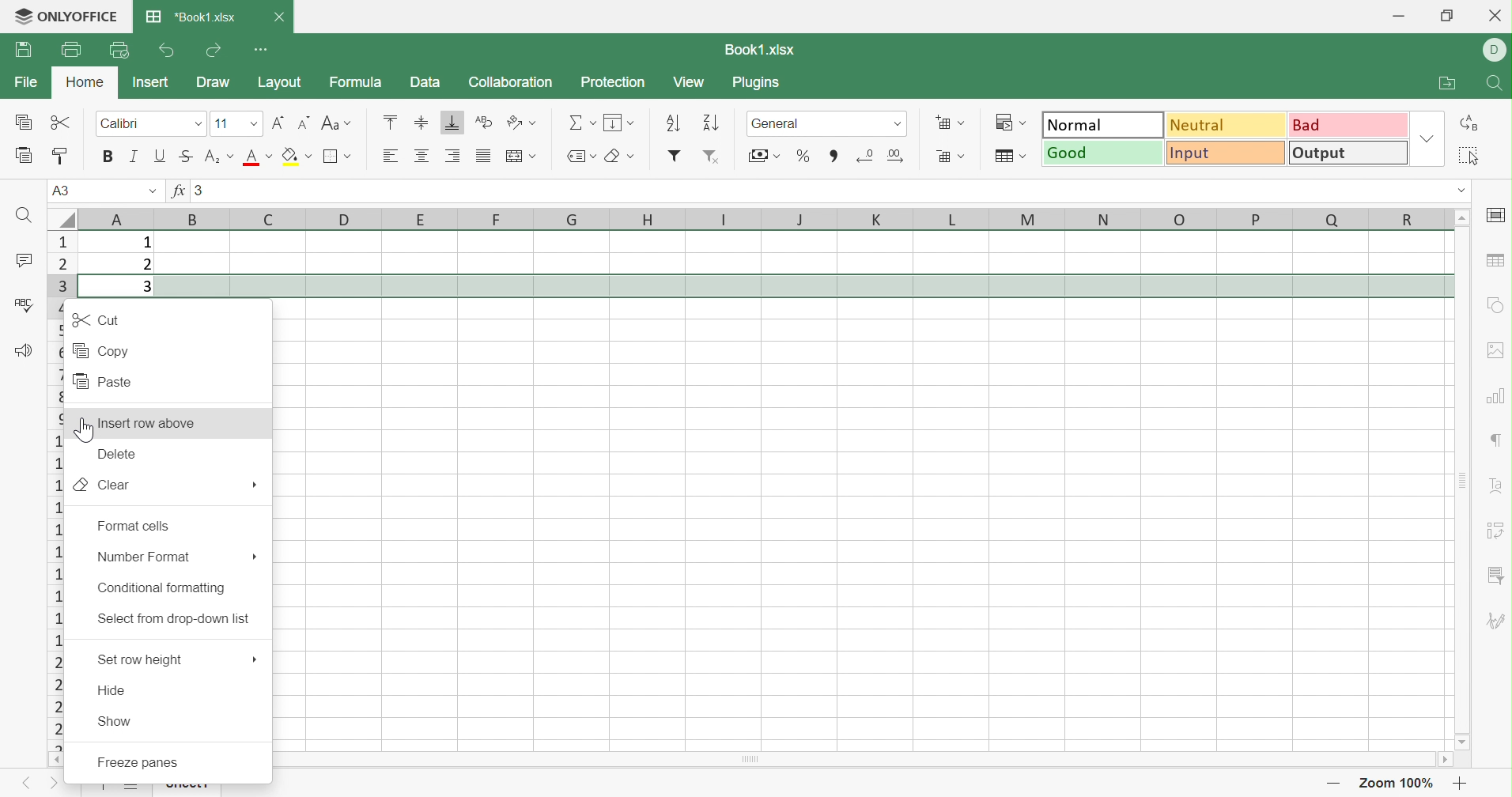 The image size is (1512, 797). What do you see at coordinates (146, 242) in the screenshot?
I see `1` at bounding box center [146, 242].